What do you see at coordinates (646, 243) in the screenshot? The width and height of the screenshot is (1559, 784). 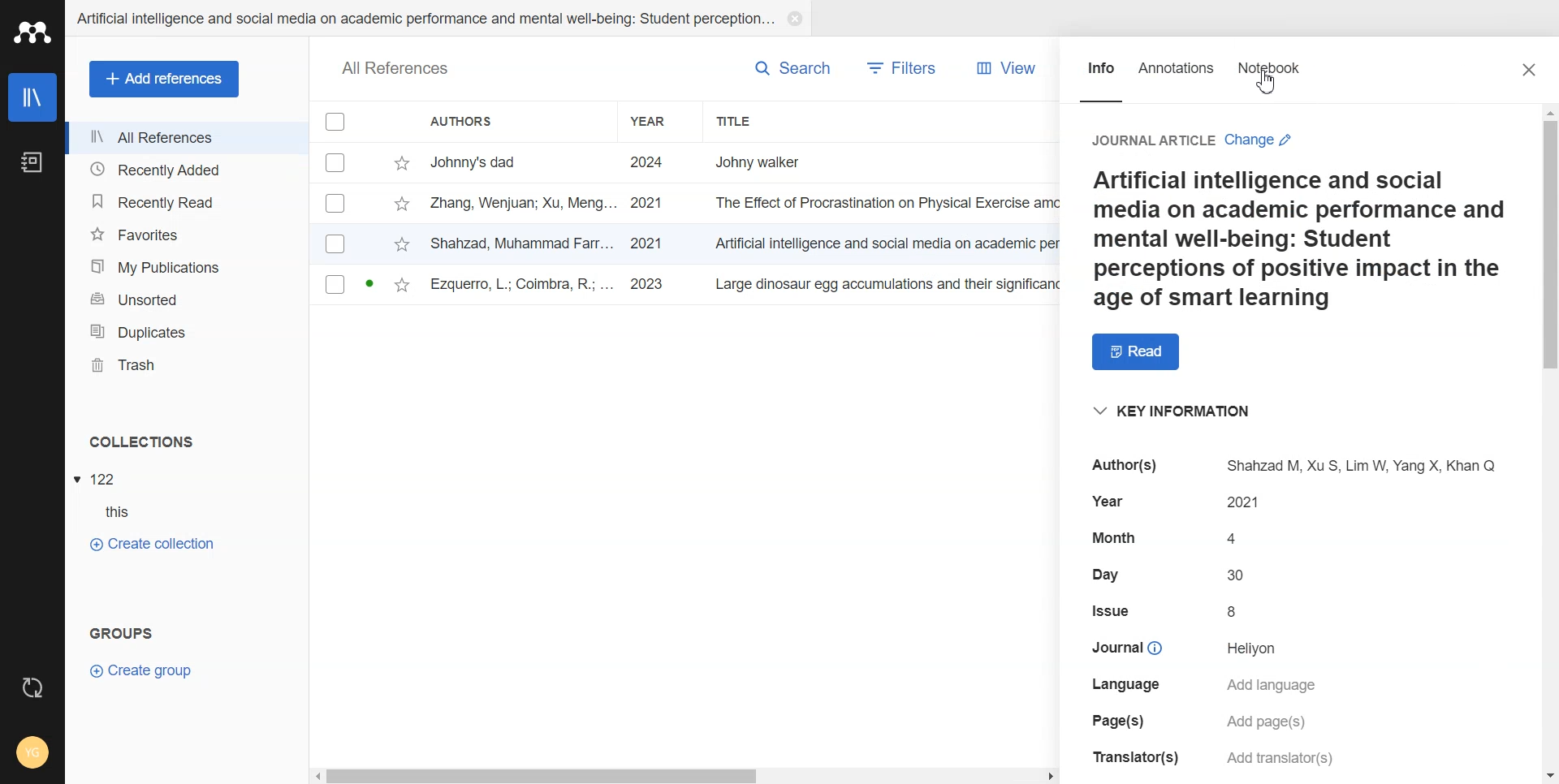 I see `2021` at bounding box center [646, 243].